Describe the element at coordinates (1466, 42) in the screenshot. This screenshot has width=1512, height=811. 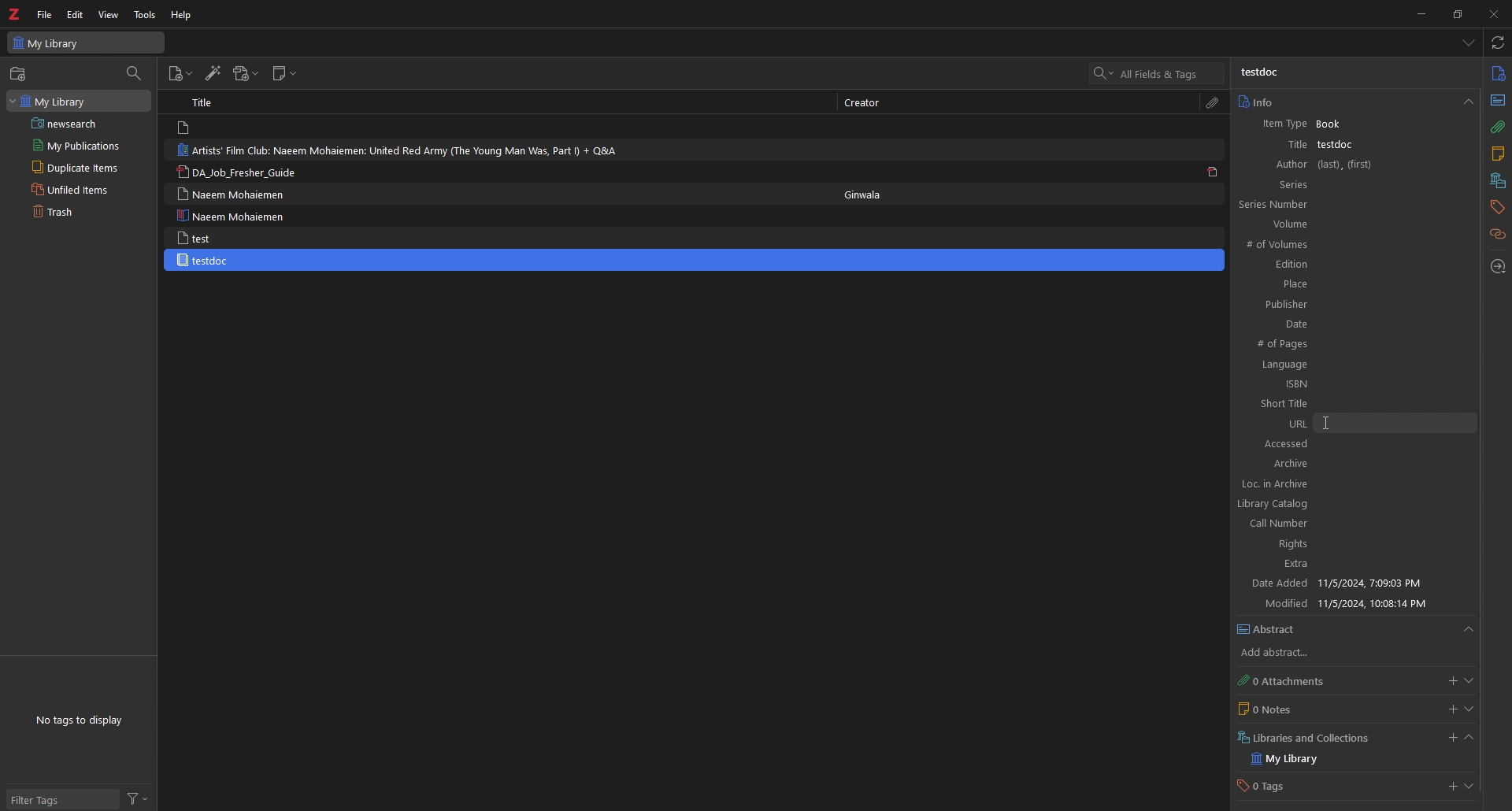
I see `list all items` at that location.